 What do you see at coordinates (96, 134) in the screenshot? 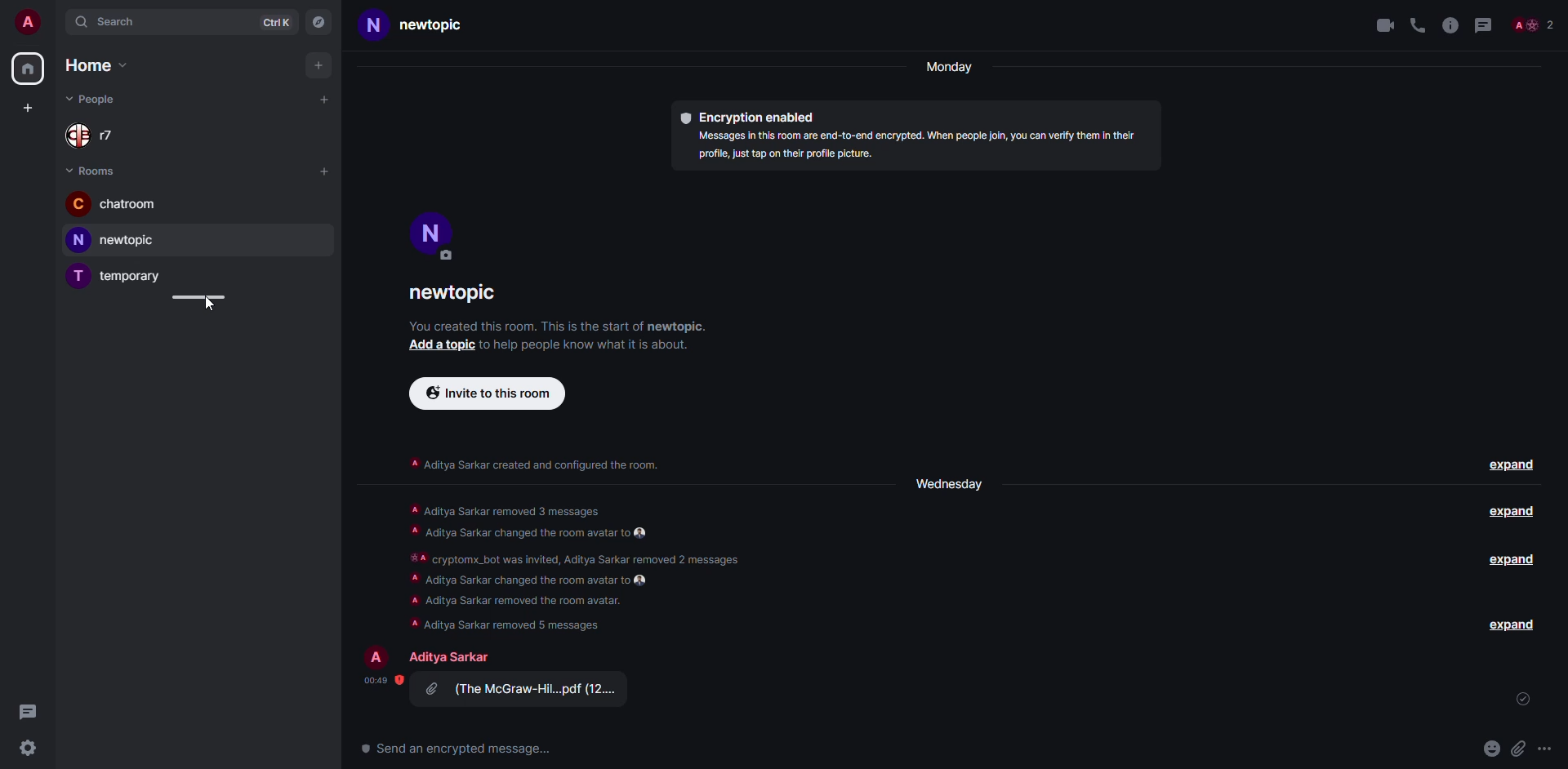
I see `r7` at bounding box center [96, 134].